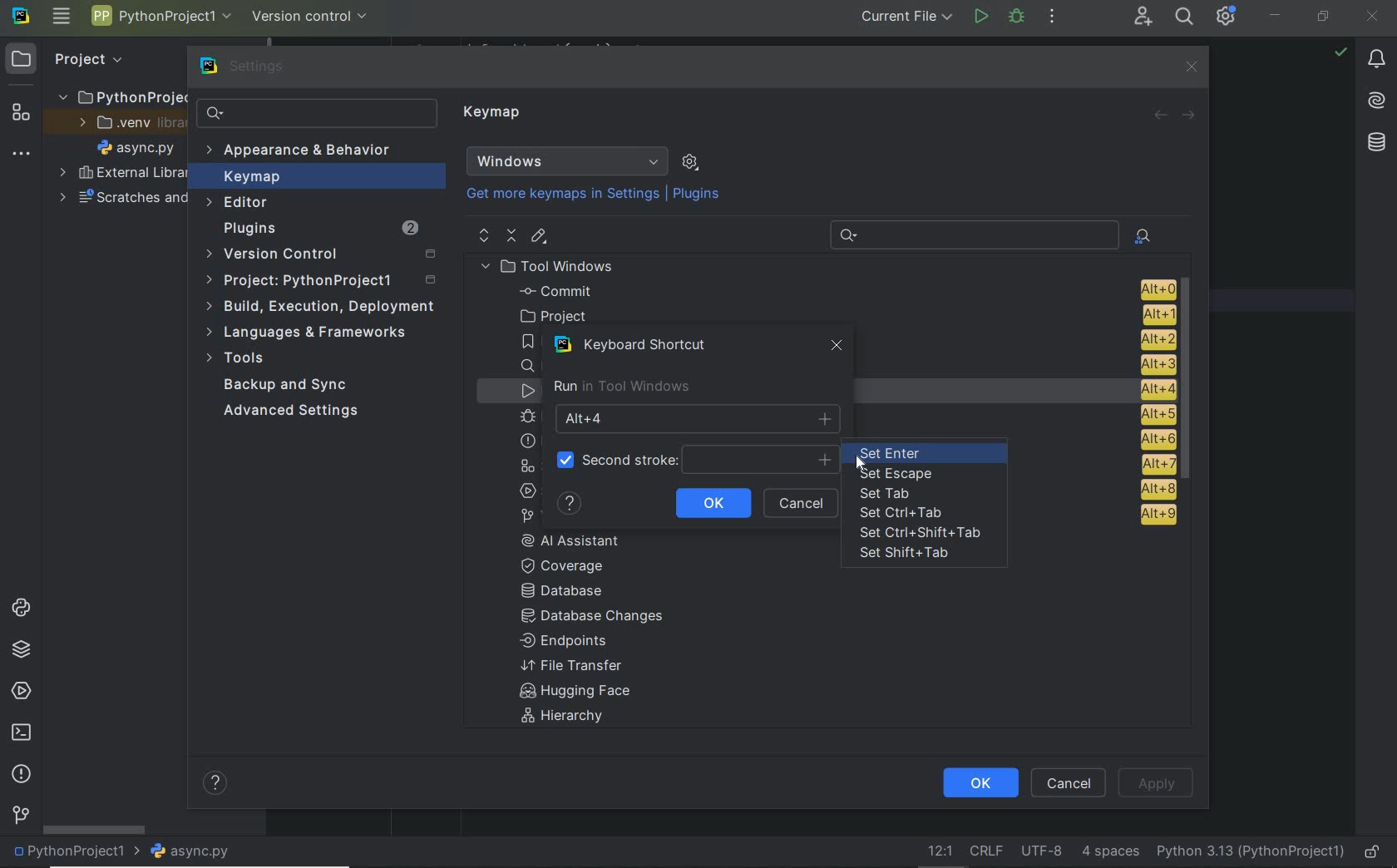  What do you see at coordinates (1143, 236) in the screenshot?
I see `find actions by shortcut` at bounding box center [1143, 236].